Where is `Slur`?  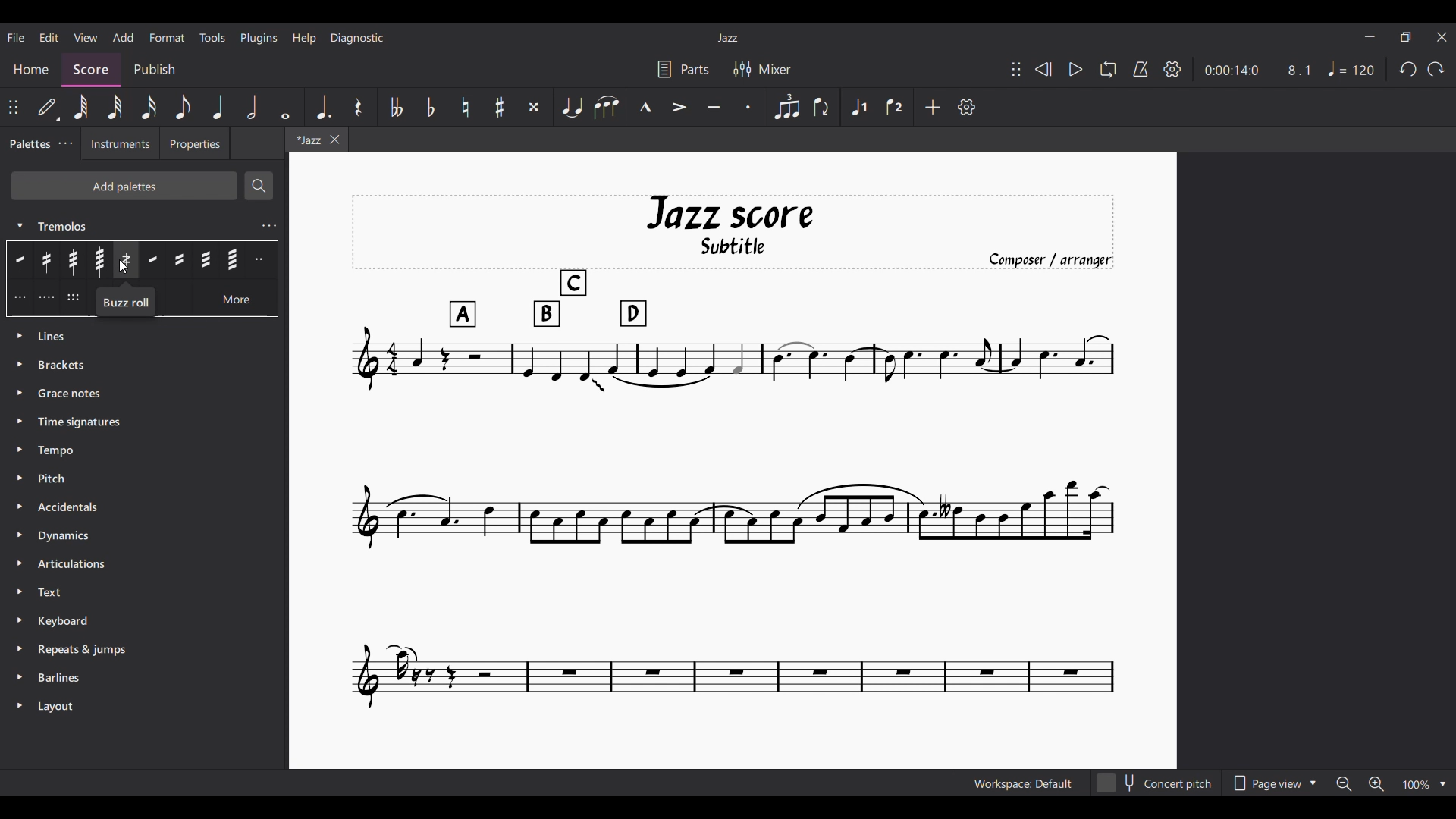
Slur is located at coordinates (607, 107).